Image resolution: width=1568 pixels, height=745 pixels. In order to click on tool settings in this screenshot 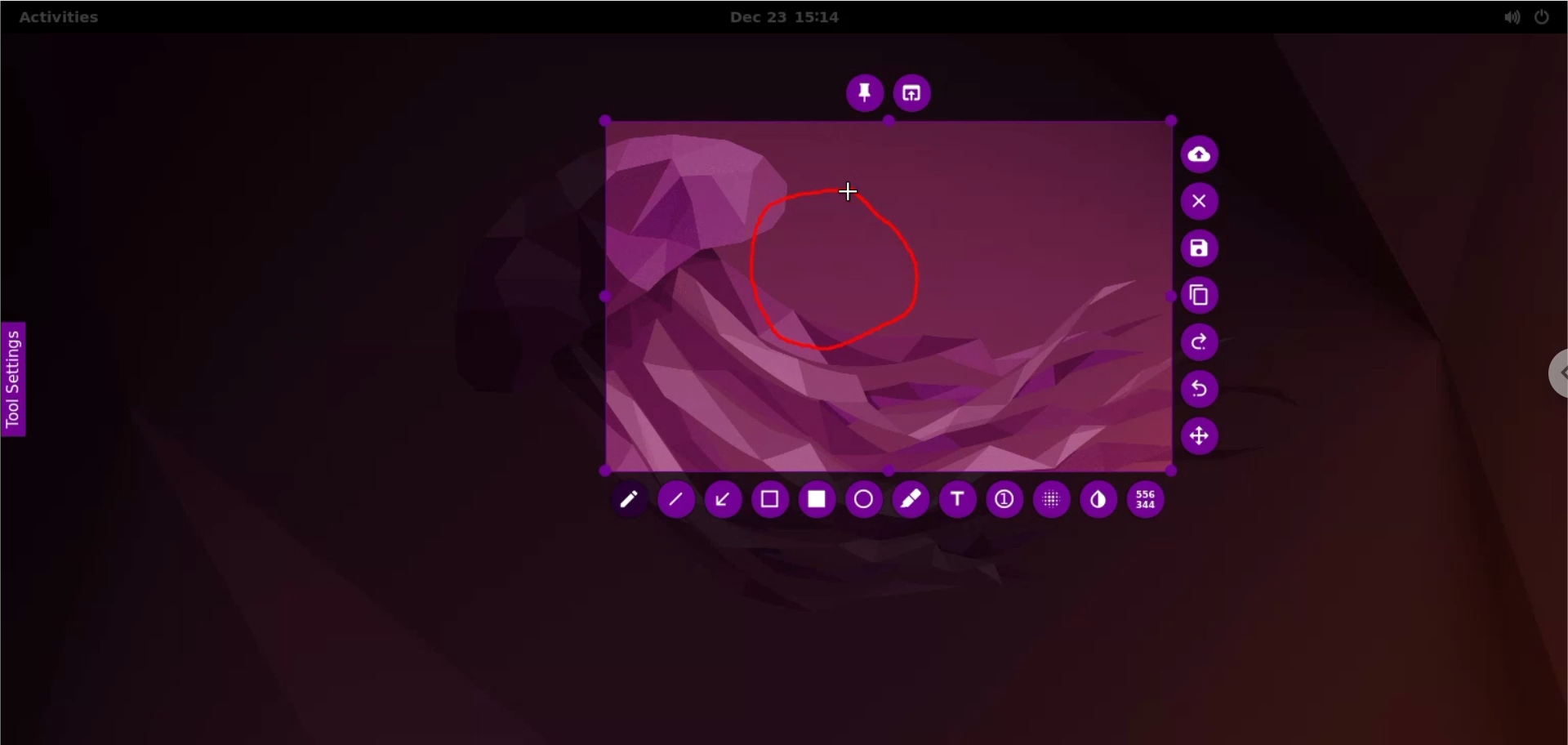, I will do `click(16, 383)`.